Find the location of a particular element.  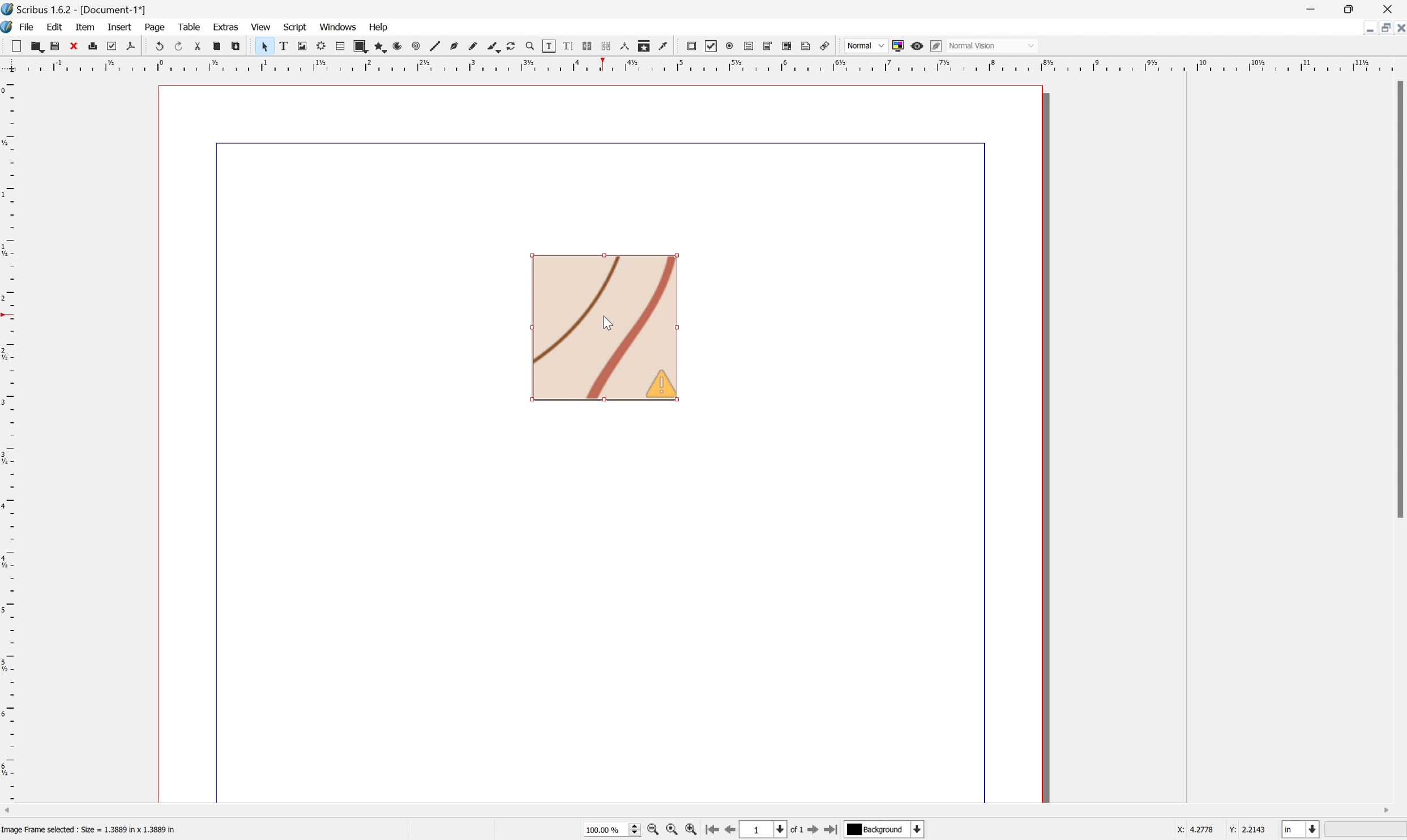

Eye dropper is located at coordinates (667, 48).